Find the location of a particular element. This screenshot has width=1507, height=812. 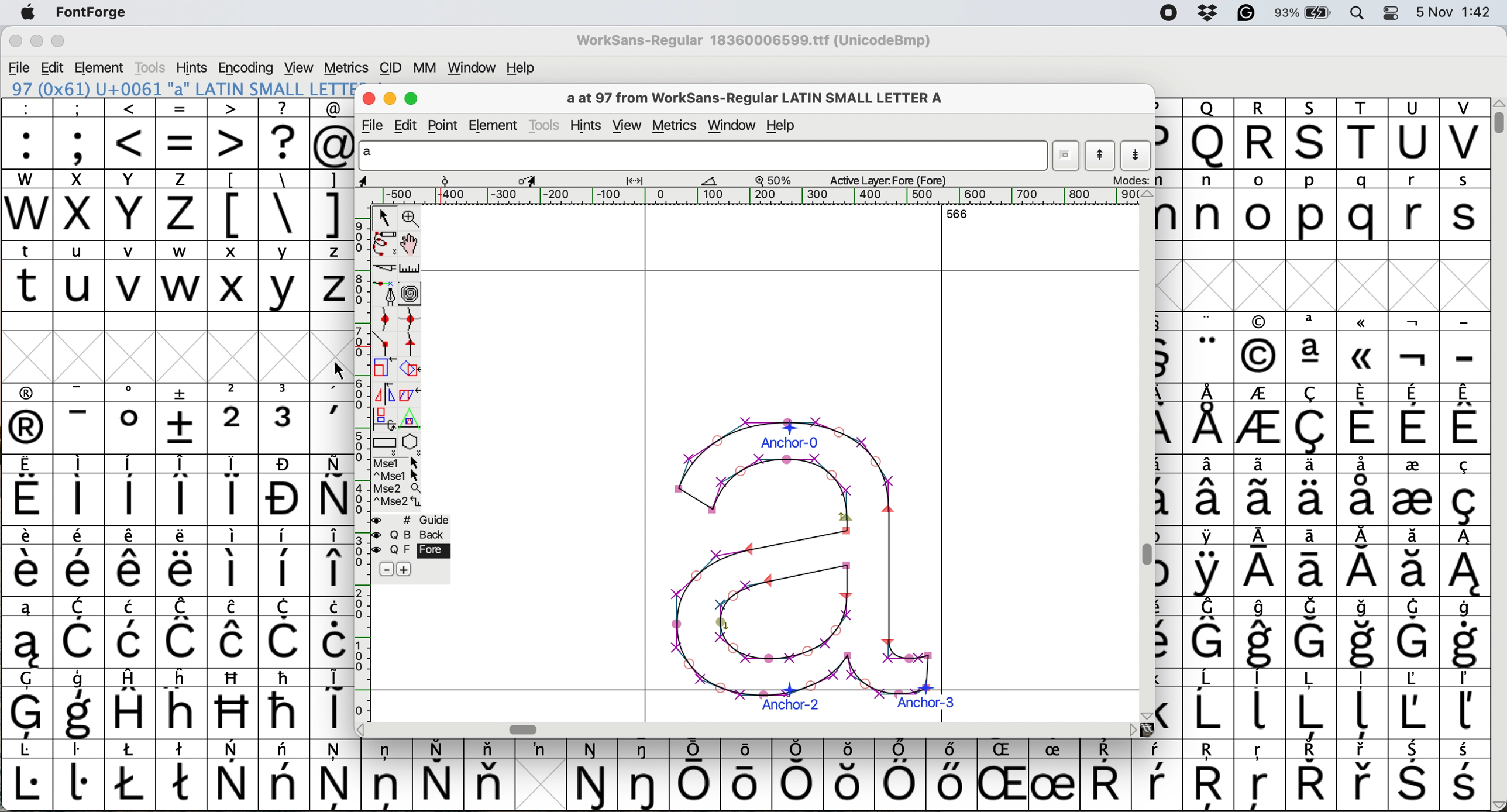

glyph name is located at coordinates (704, 155).